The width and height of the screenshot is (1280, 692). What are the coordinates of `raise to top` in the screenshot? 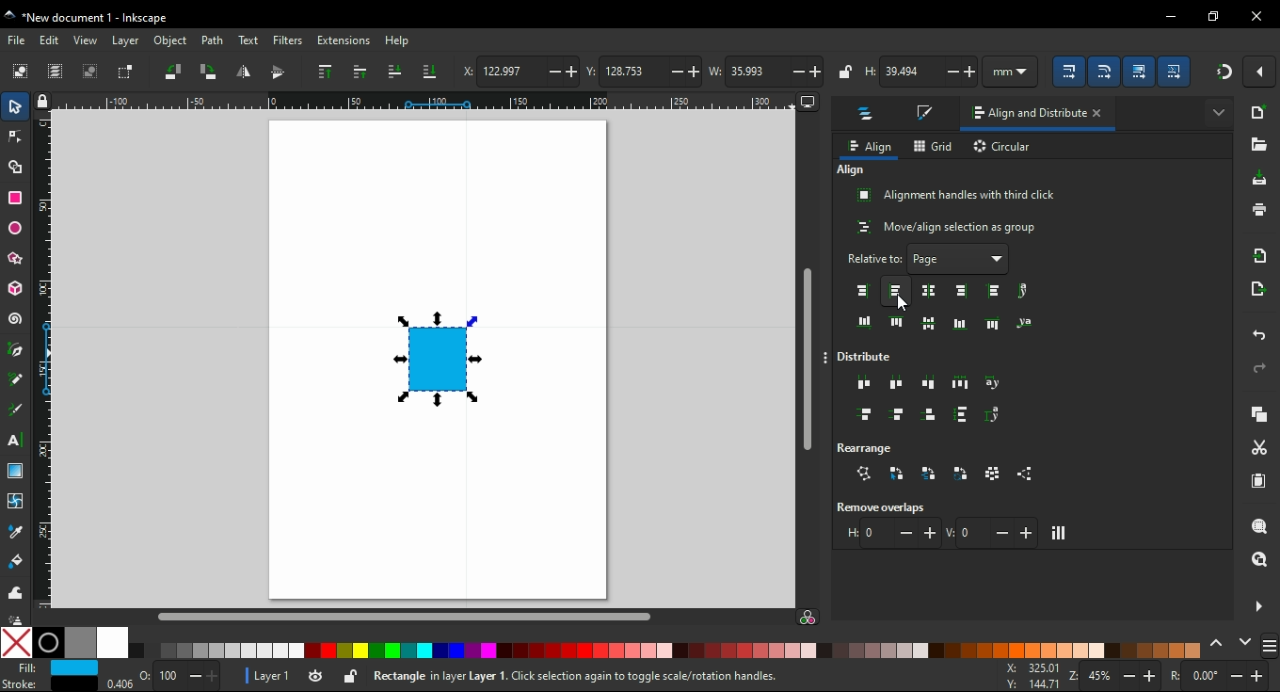 It's located at (325, 74).